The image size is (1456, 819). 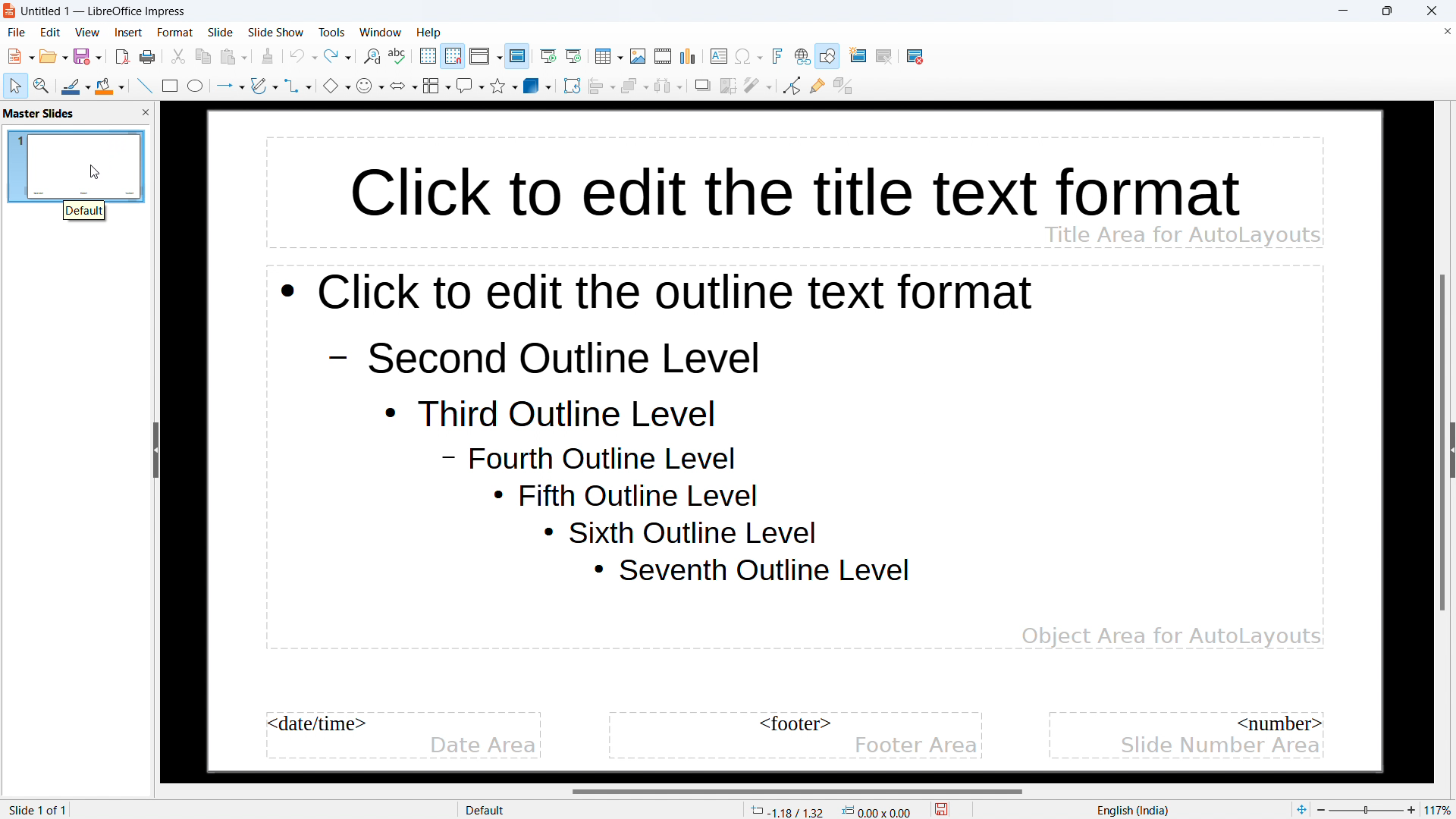 What do you see at coordinates (428, 33) in the screenshot?
I see `help` at bounding box center [428, 33].